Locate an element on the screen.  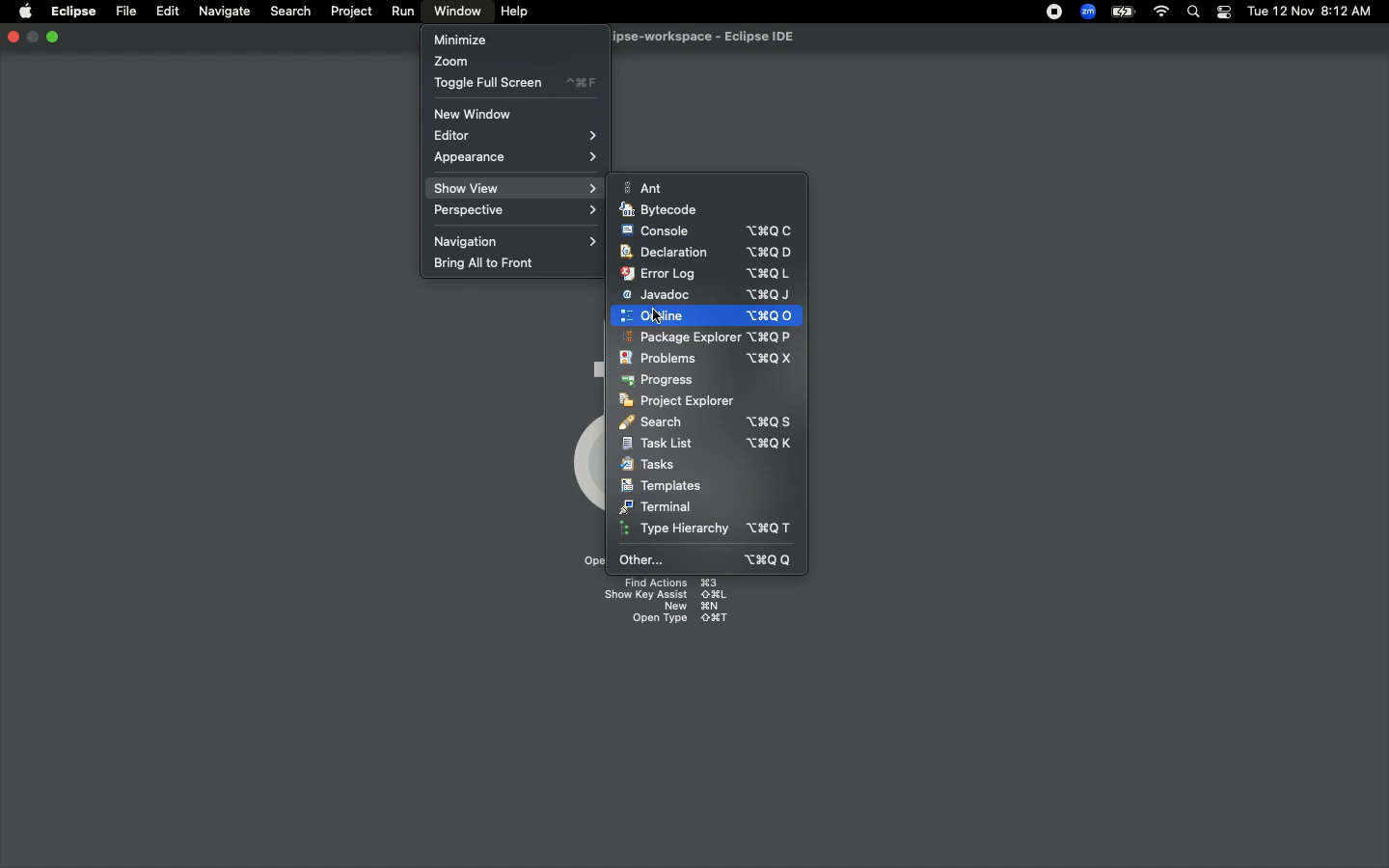
Edit is located at coordinates (165, 10).